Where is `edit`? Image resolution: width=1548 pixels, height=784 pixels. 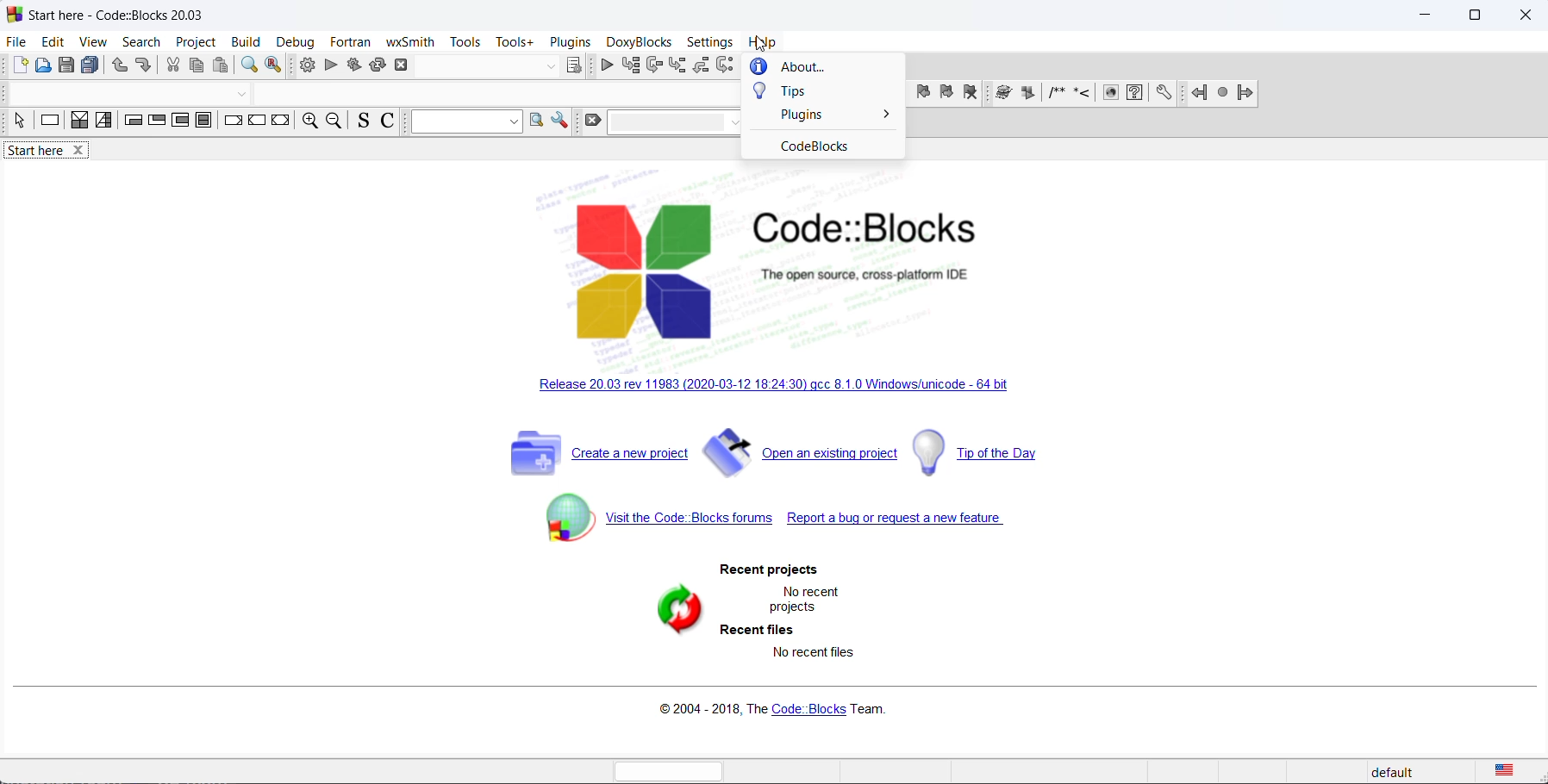 edit is located at coordinates (53, 40).